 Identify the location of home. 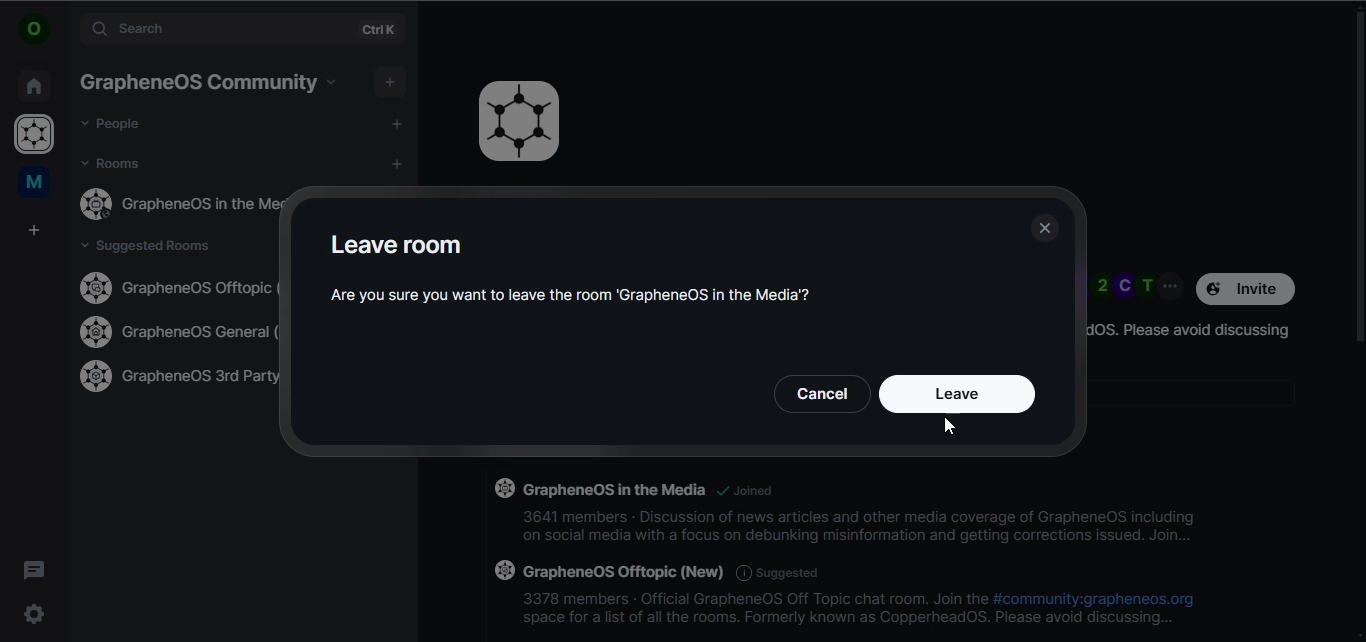
(33, 83).